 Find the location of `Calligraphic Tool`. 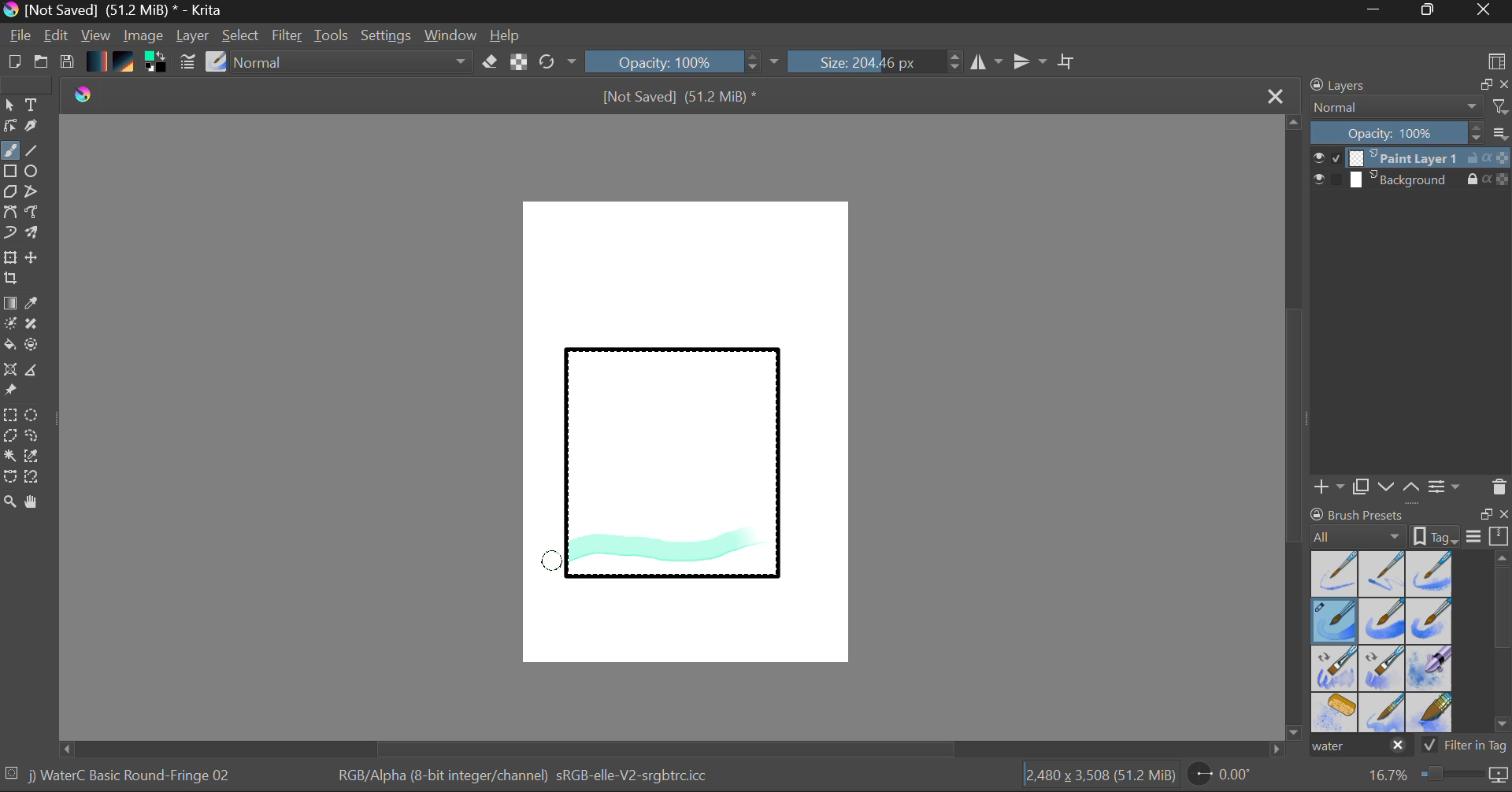

Calligraphic Tool is located at coordinates (37, 129).